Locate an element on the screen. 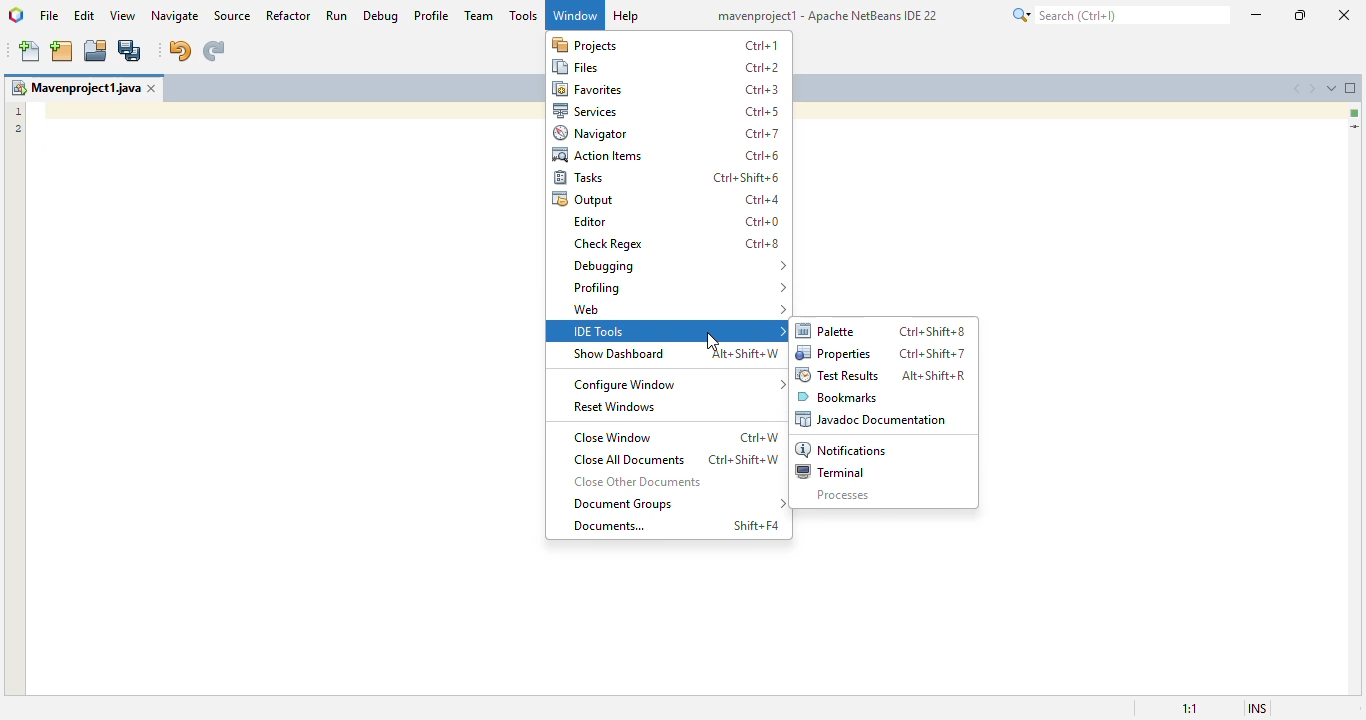 This screenshot has width=1366, height=720. shortcut for services is located at coordinates (762, 113).